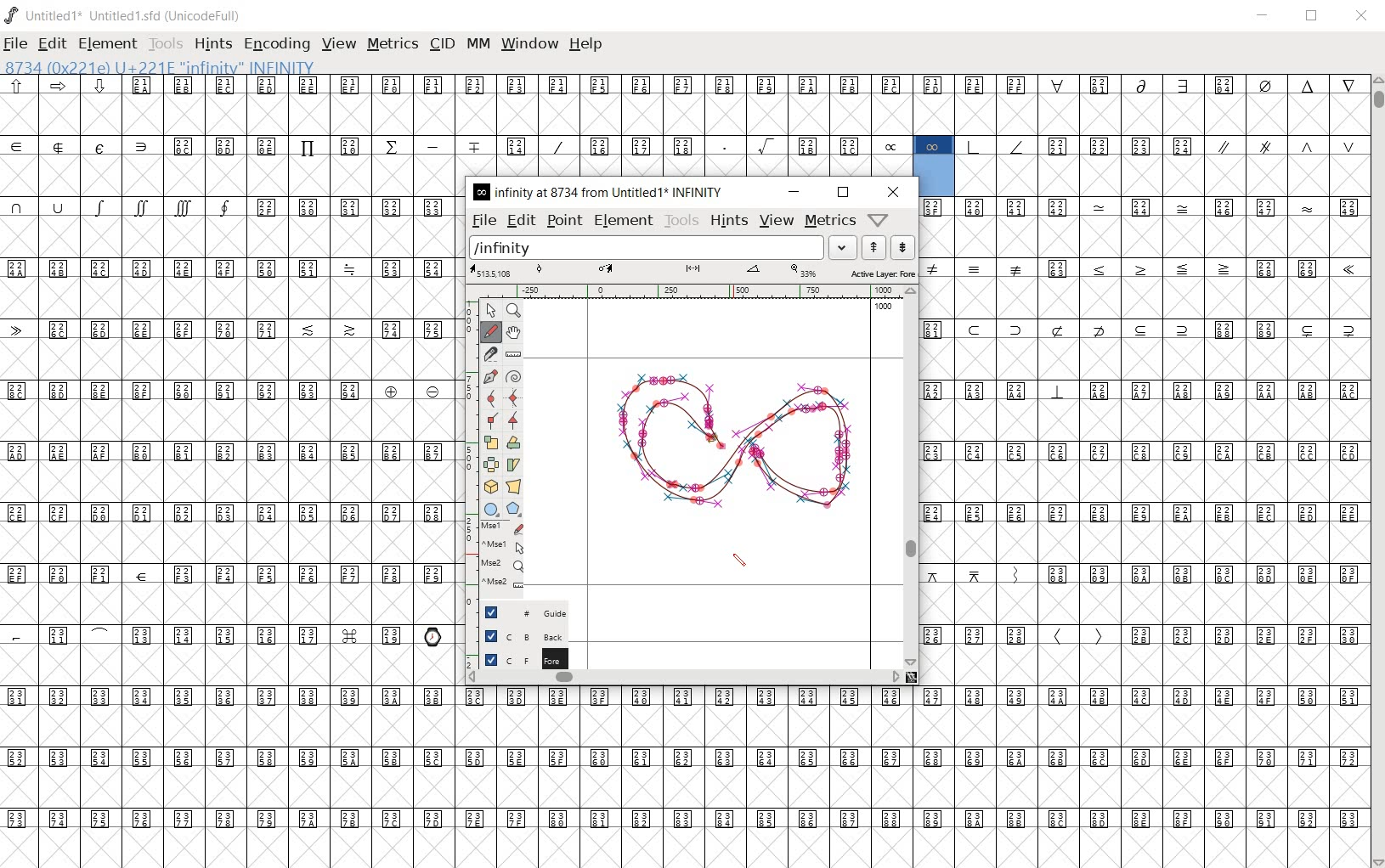 This screenshot has width=1385, height=868. What do you see at coordinates (624, 222) in the screenshot?
I see `element` at bounding box center [624, 222].